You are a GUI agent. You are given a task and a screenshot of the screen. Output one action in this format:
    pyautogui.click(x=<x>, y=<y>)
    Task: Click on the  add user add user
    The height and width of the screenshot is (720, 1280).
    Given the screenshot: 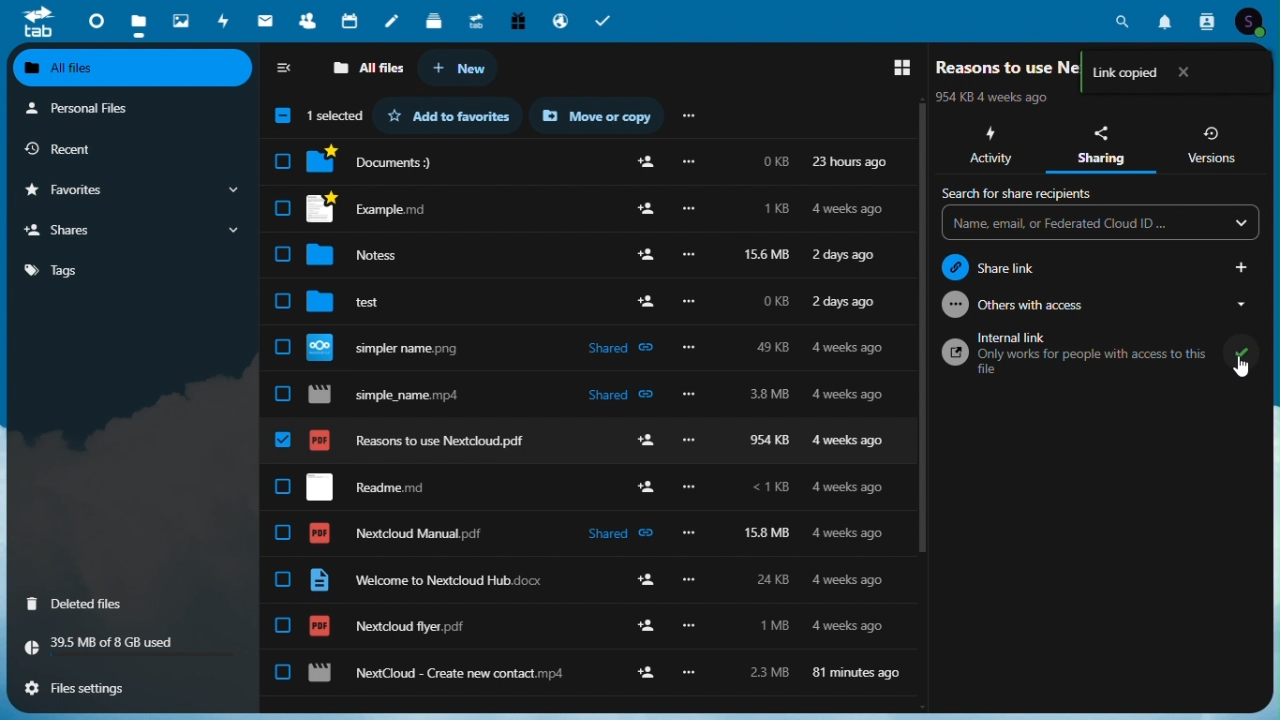 What is the action you would take?
    pyautogui.click(x=646, y=483)
    